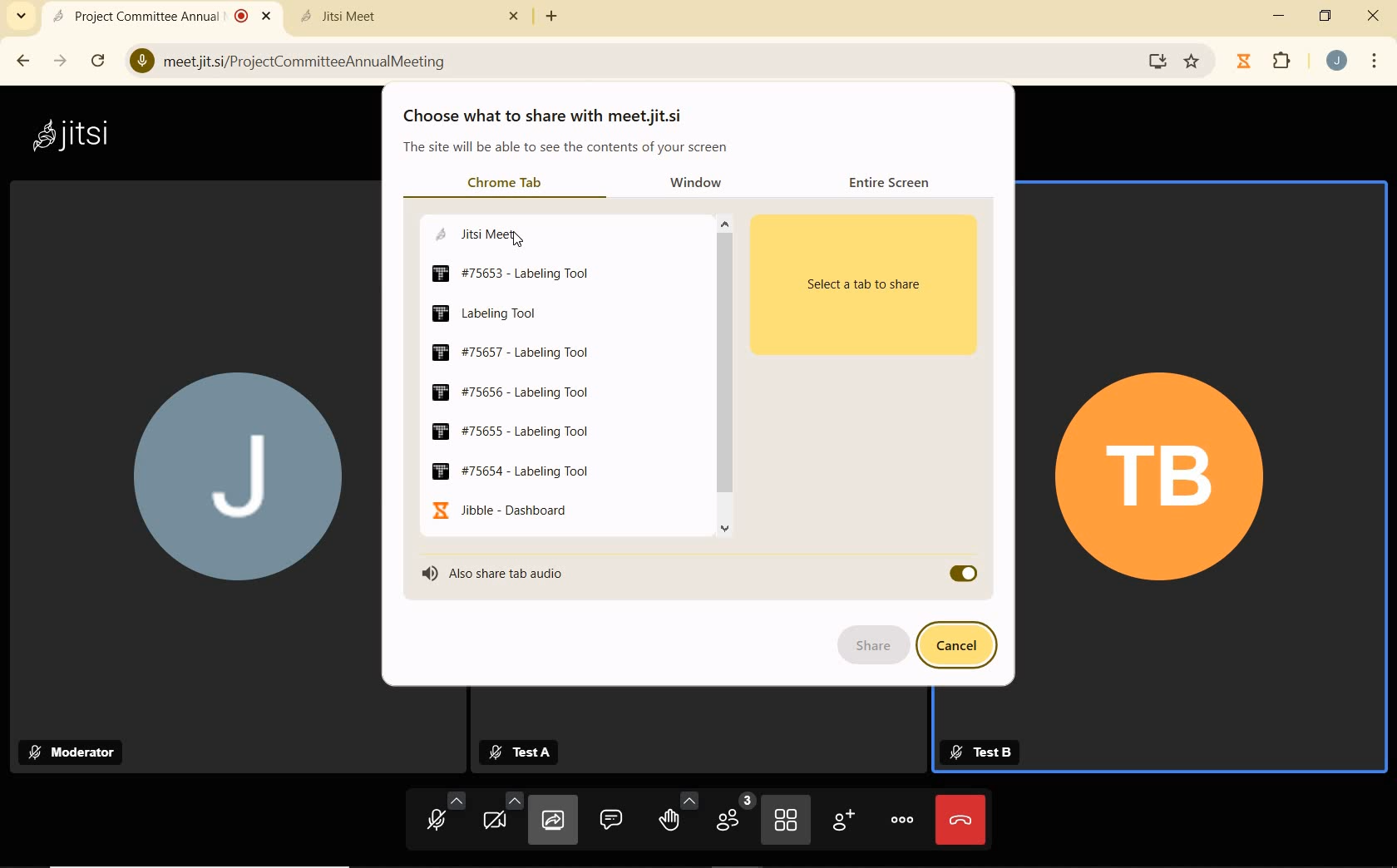 This screenshot has width=1397, height=868. I want to click on SHARE, so click(873, 647).